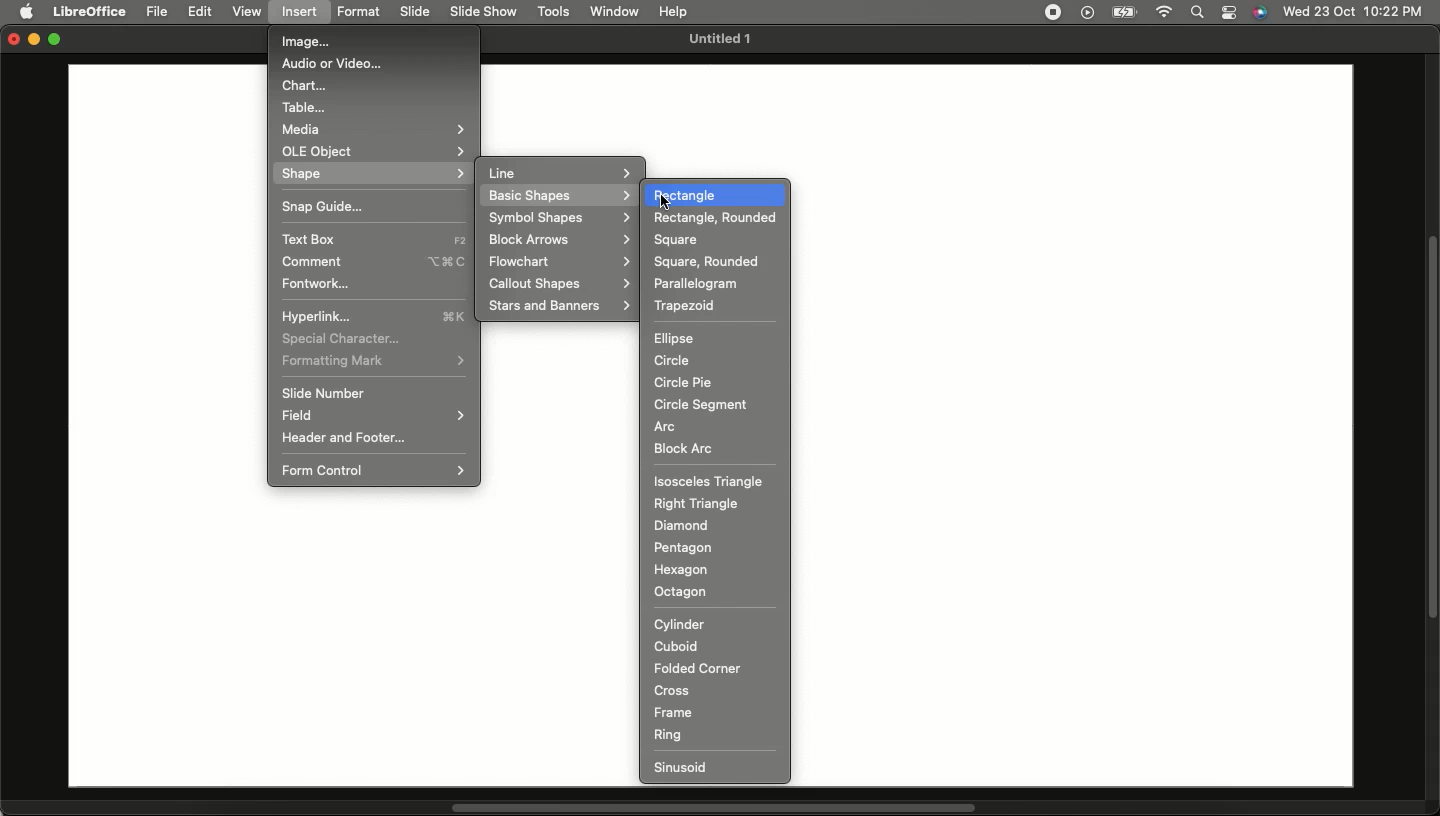  What do you see at coordinates (202, 12) in the screenshot?
I see `Edit` at bounding box center [202, 12].